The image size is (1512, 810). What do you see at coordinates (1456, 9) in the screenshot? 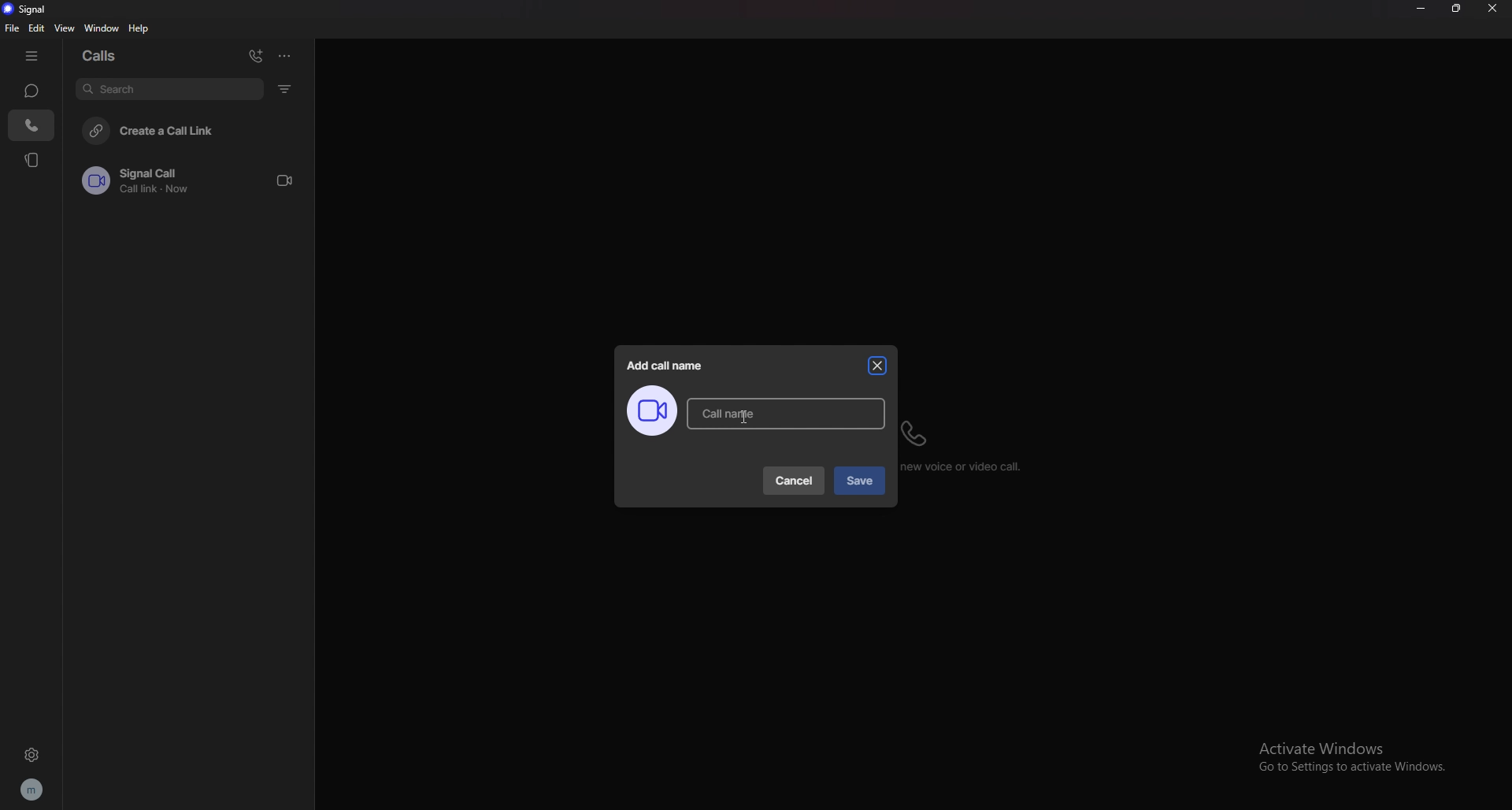
I see `resize` at bounding box center [1456, 9].